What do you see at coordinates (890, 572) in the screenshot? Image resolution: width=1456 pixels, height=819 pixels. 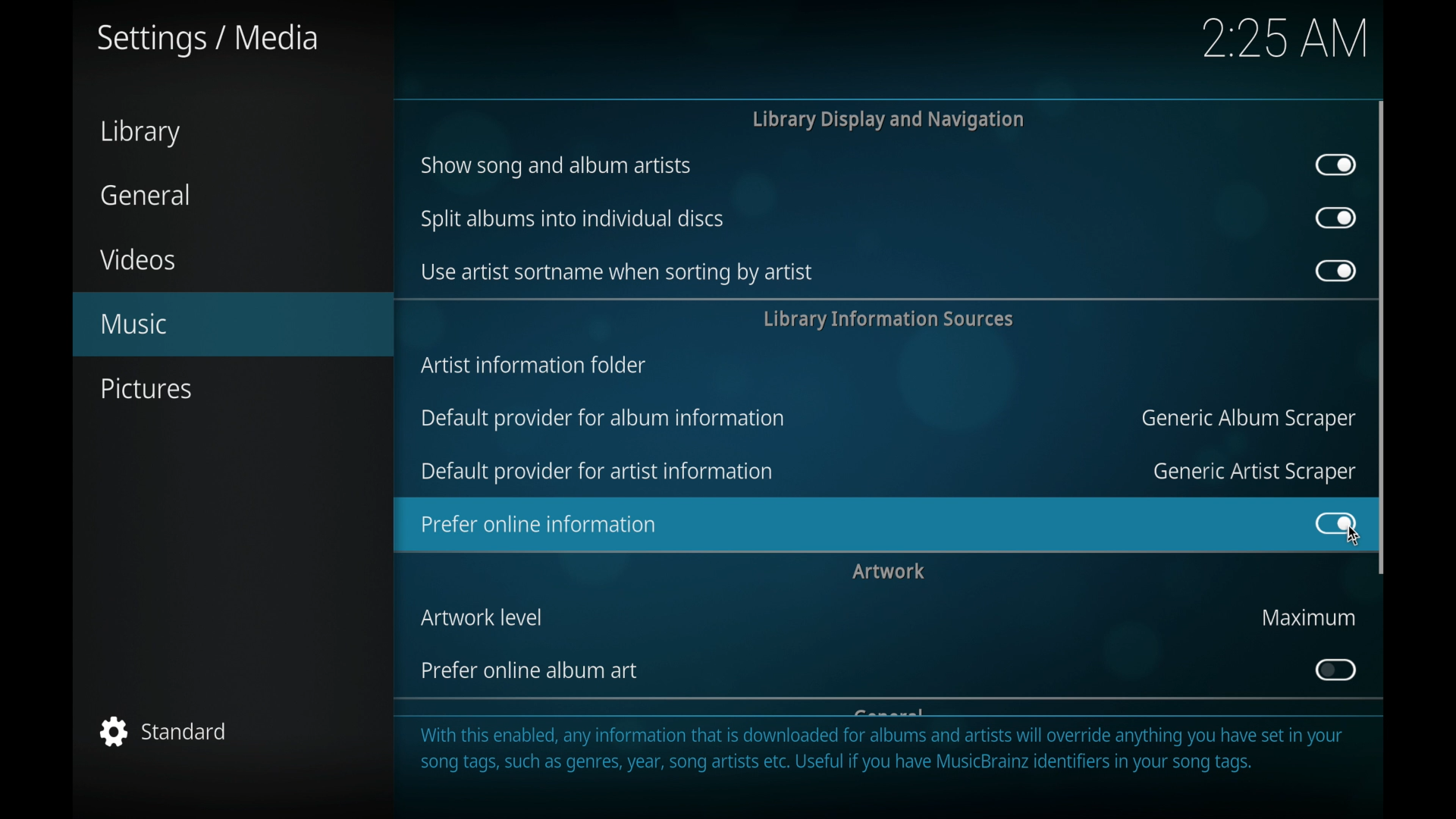 I see `artwork` at bounding box center [890, 572].